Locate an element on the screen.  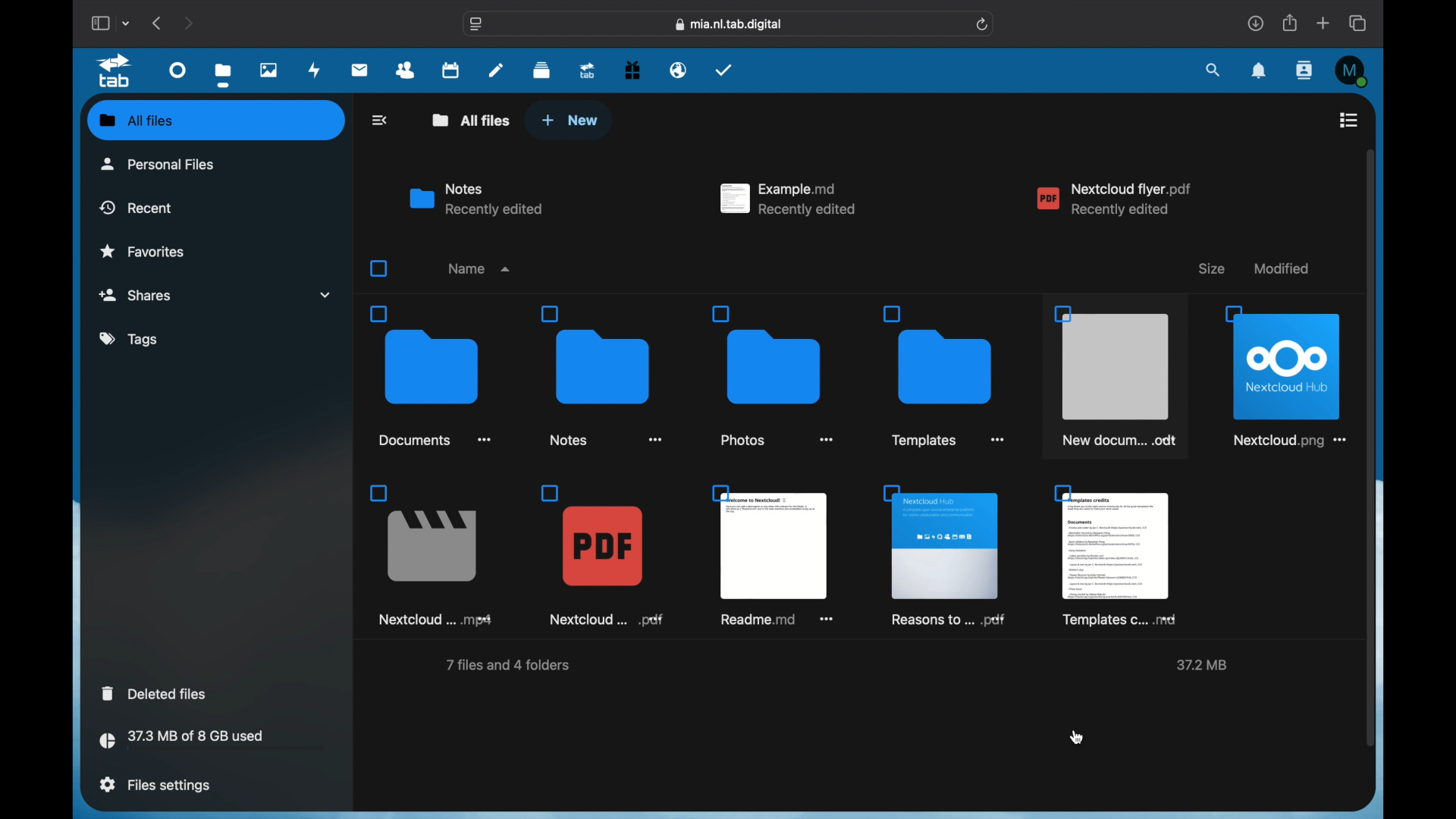
shares is located at coordinates (215, 295).